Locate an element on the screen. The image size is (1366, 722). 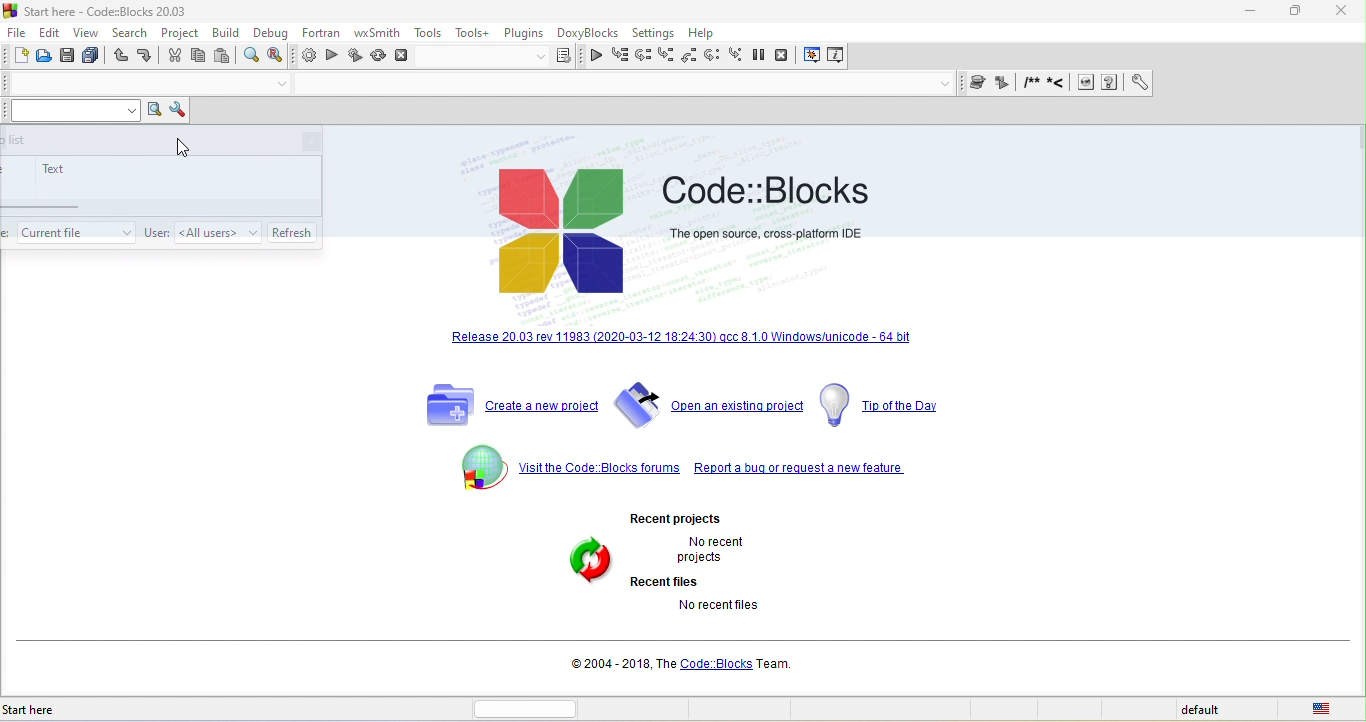
build is located at coordinates (228, 35).